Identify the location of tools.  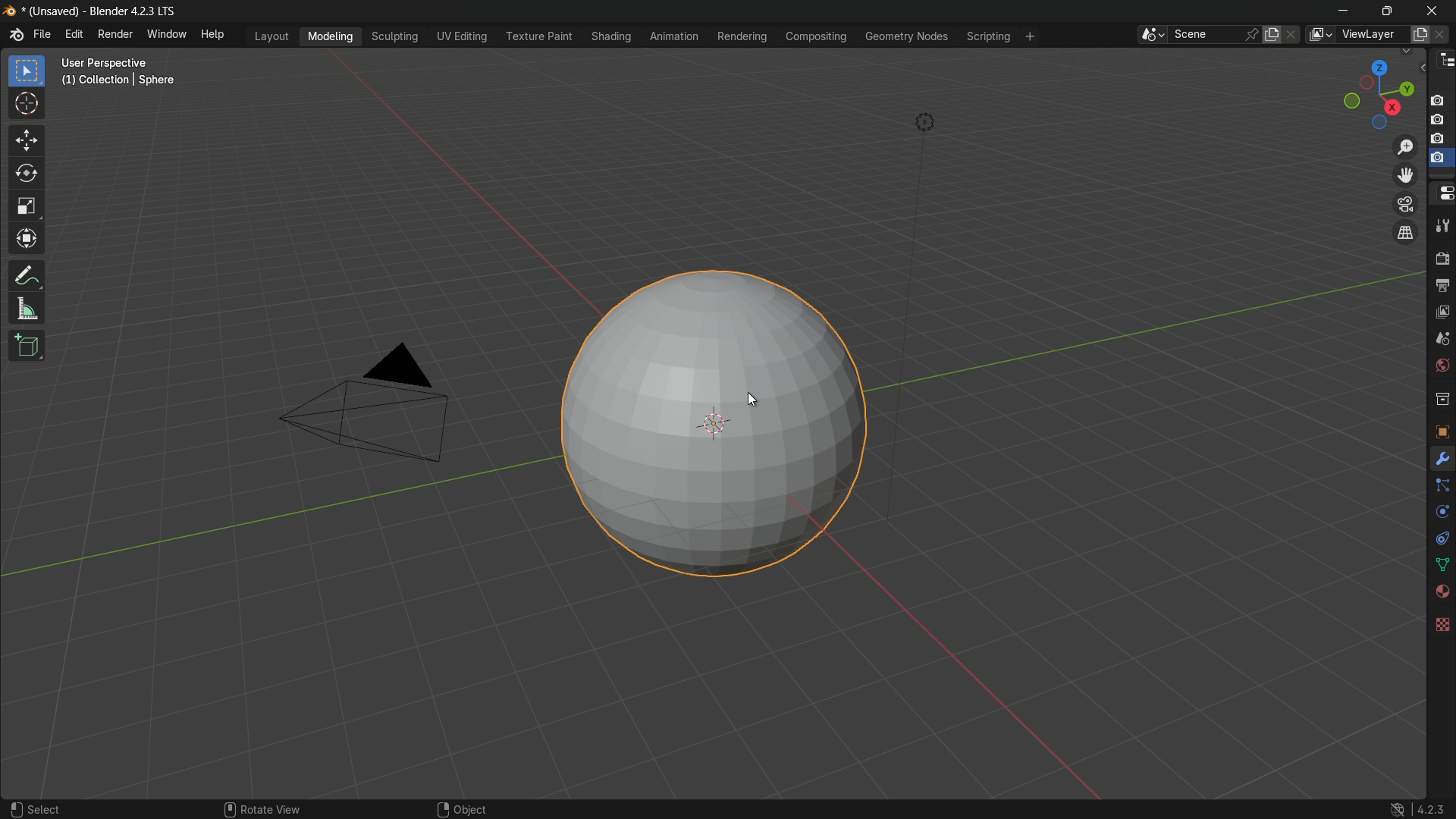
(1442, 229).